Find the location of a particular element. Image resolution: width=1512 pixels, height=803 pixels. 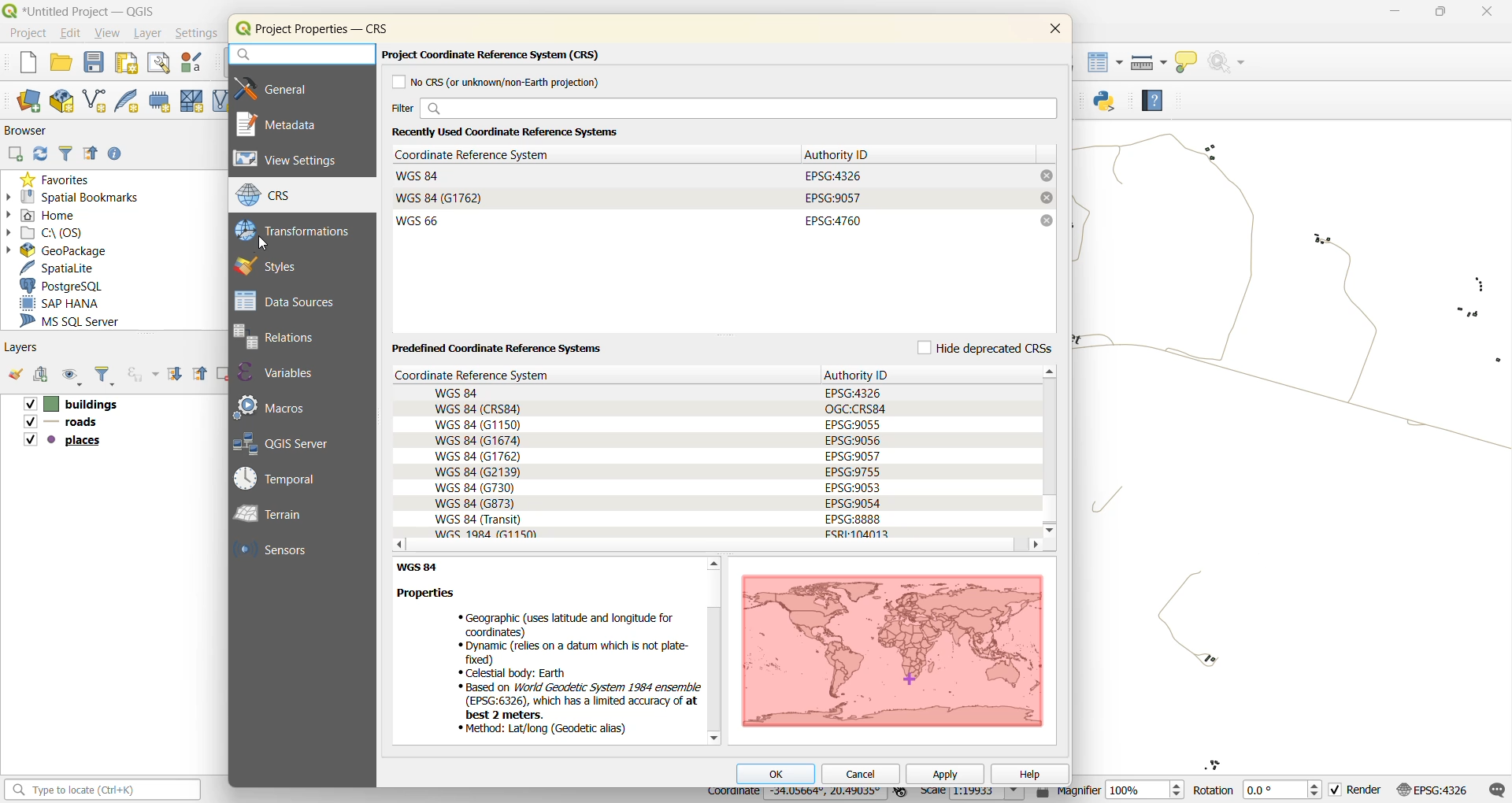

coordinates is located at coordinates (795, 795).